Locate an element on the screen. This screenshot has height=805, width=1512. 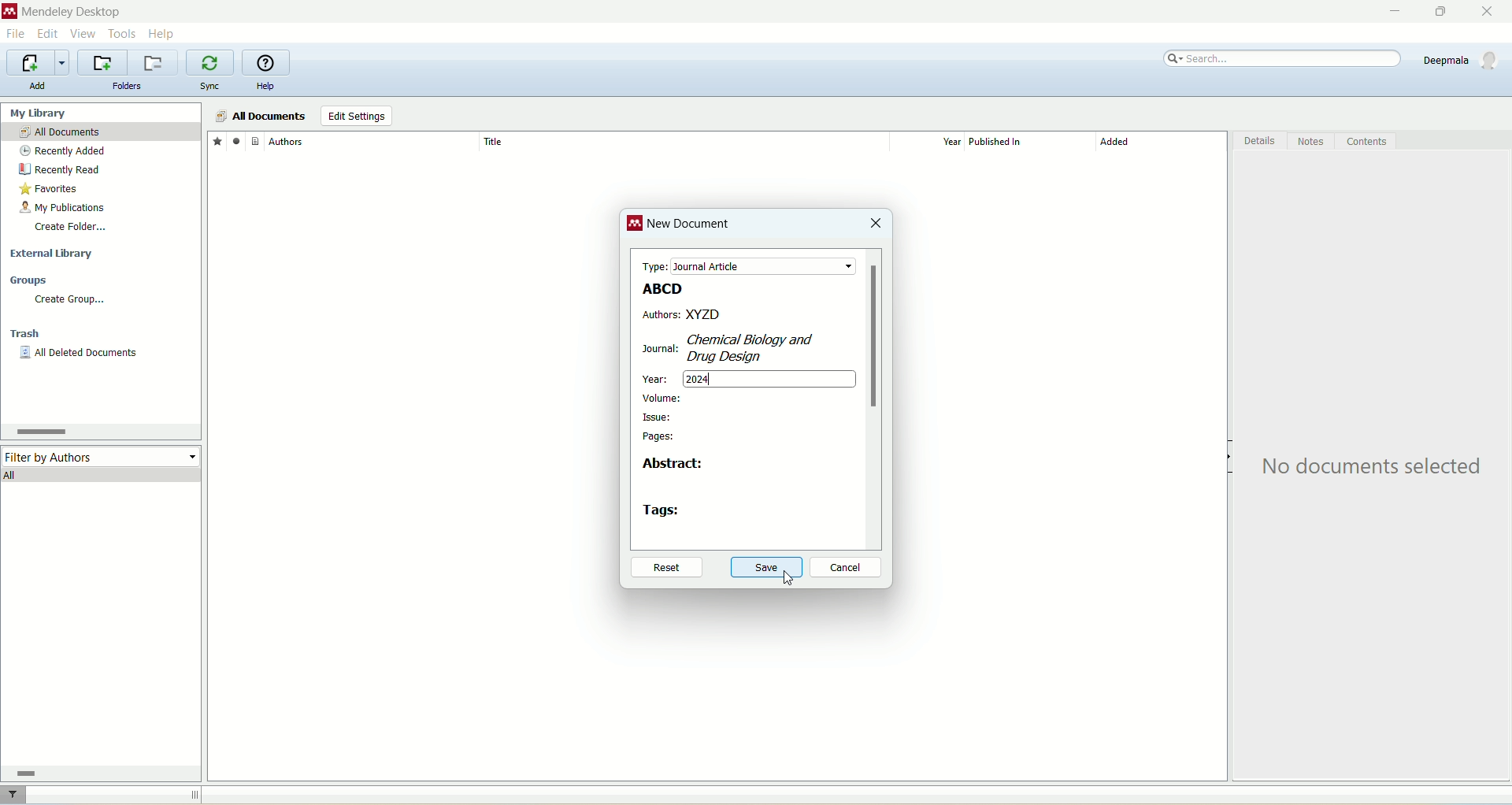
logo is located at coordinates (636, 225).